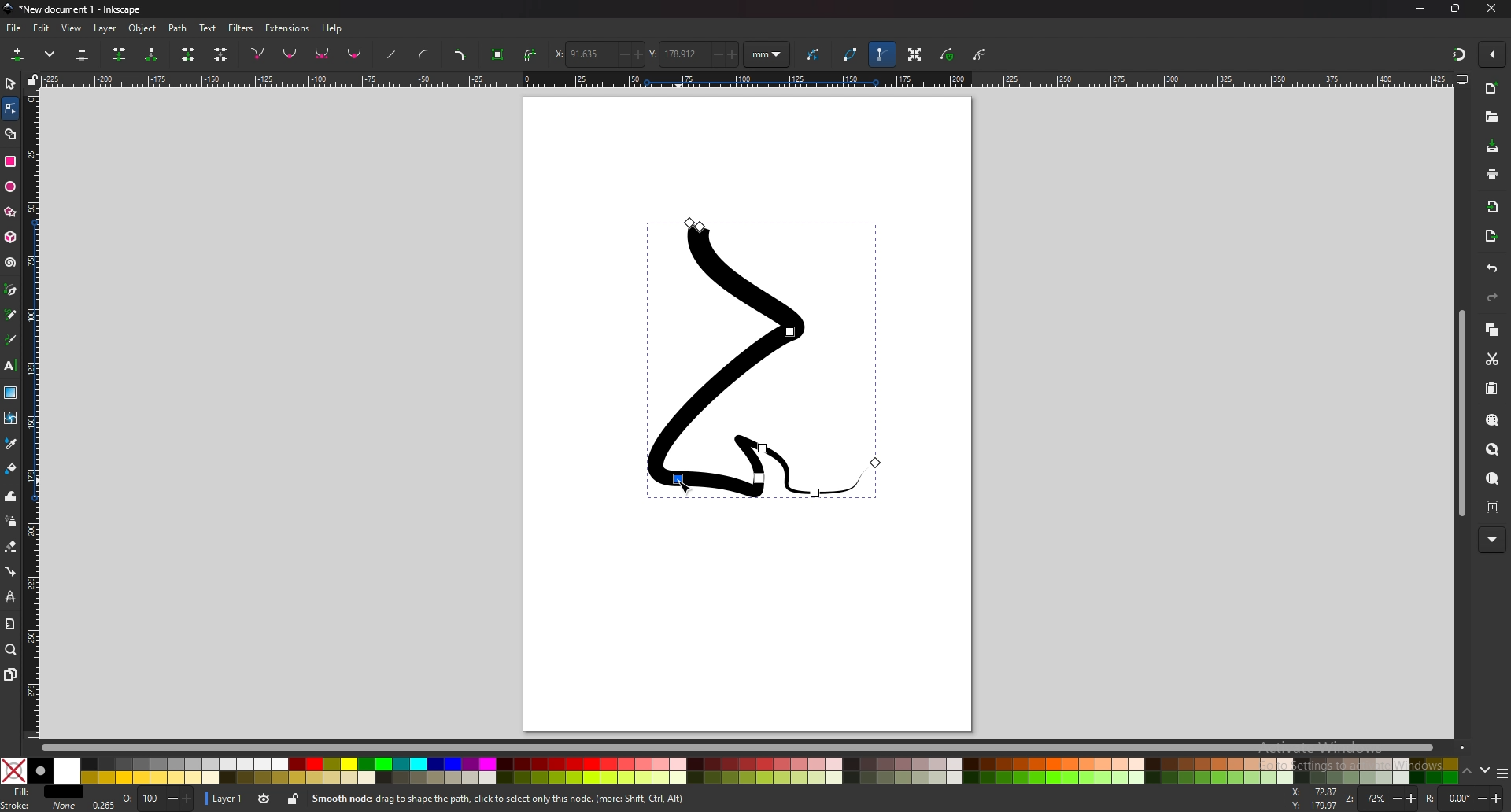 The image size is (1511, 812). I want to click on straighten lines, so click(391, 54).